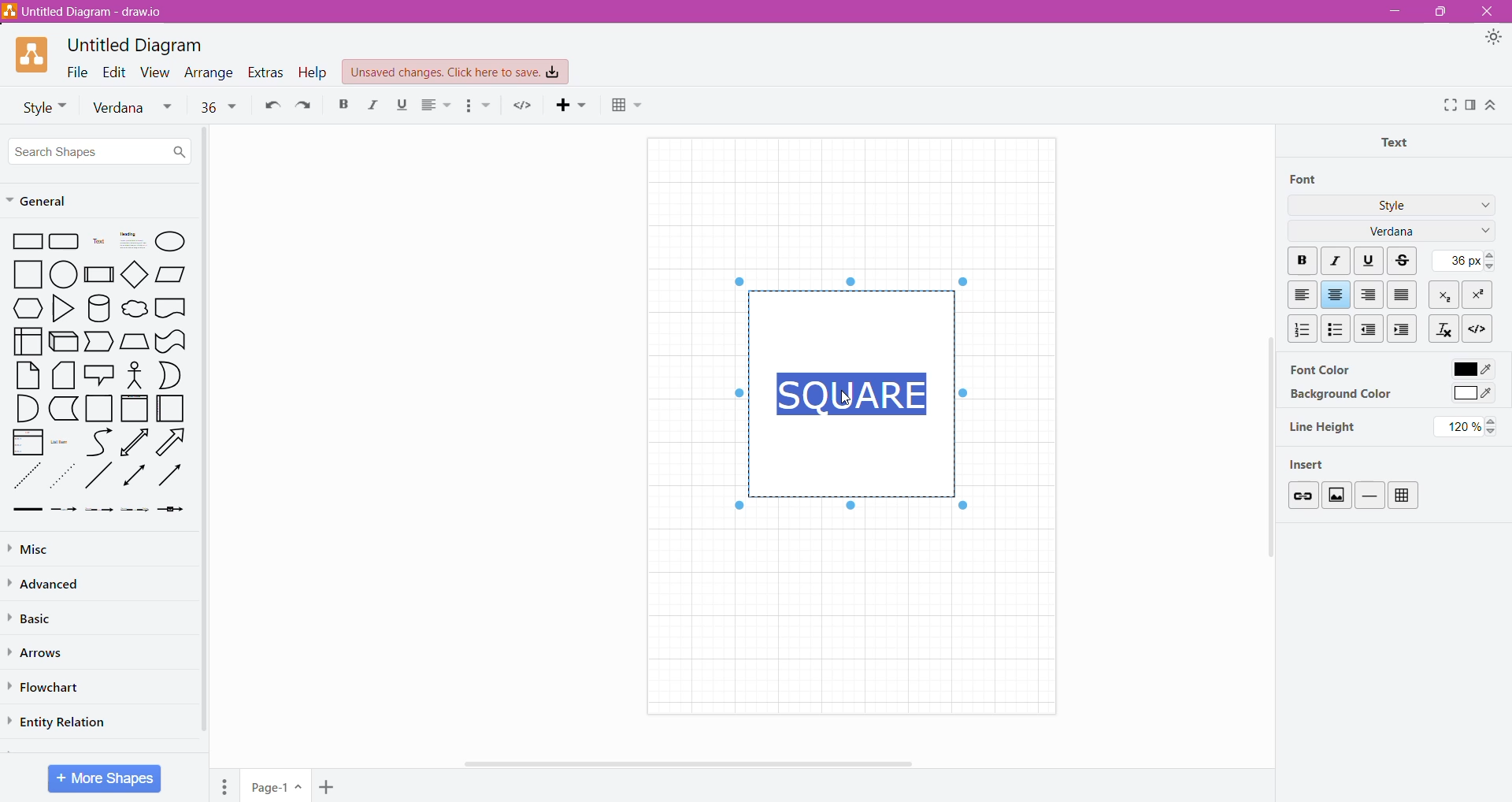 Image resolution: width=1512 pixels, height=802 pixels. What do you see at coordinates (1448, 106) in the screenshot?
I see `Fullscreen` at bounding box center [1448, 106].